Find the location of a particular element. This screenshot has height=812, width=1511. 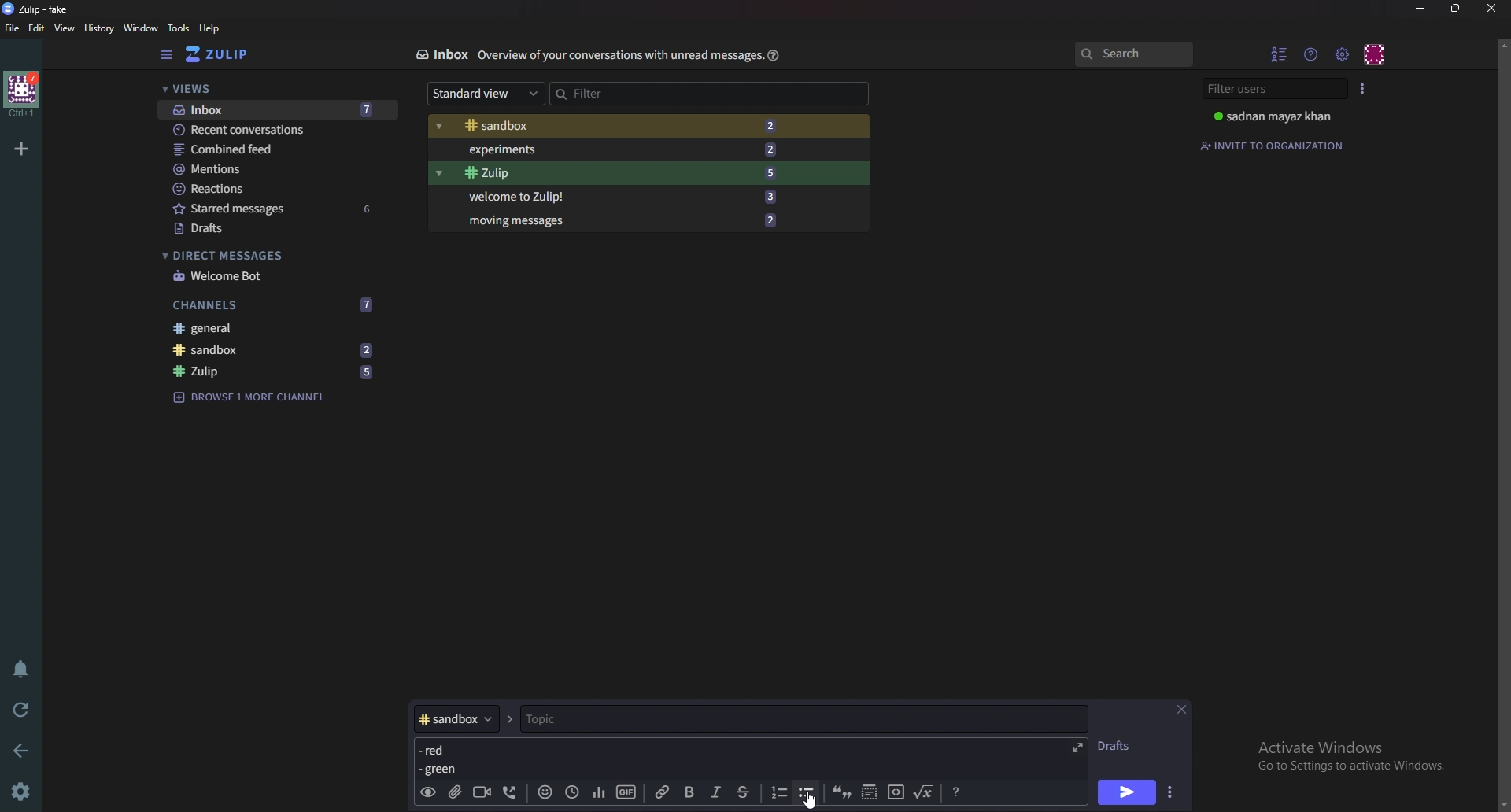

Video call is located at coordinates (481, 791).